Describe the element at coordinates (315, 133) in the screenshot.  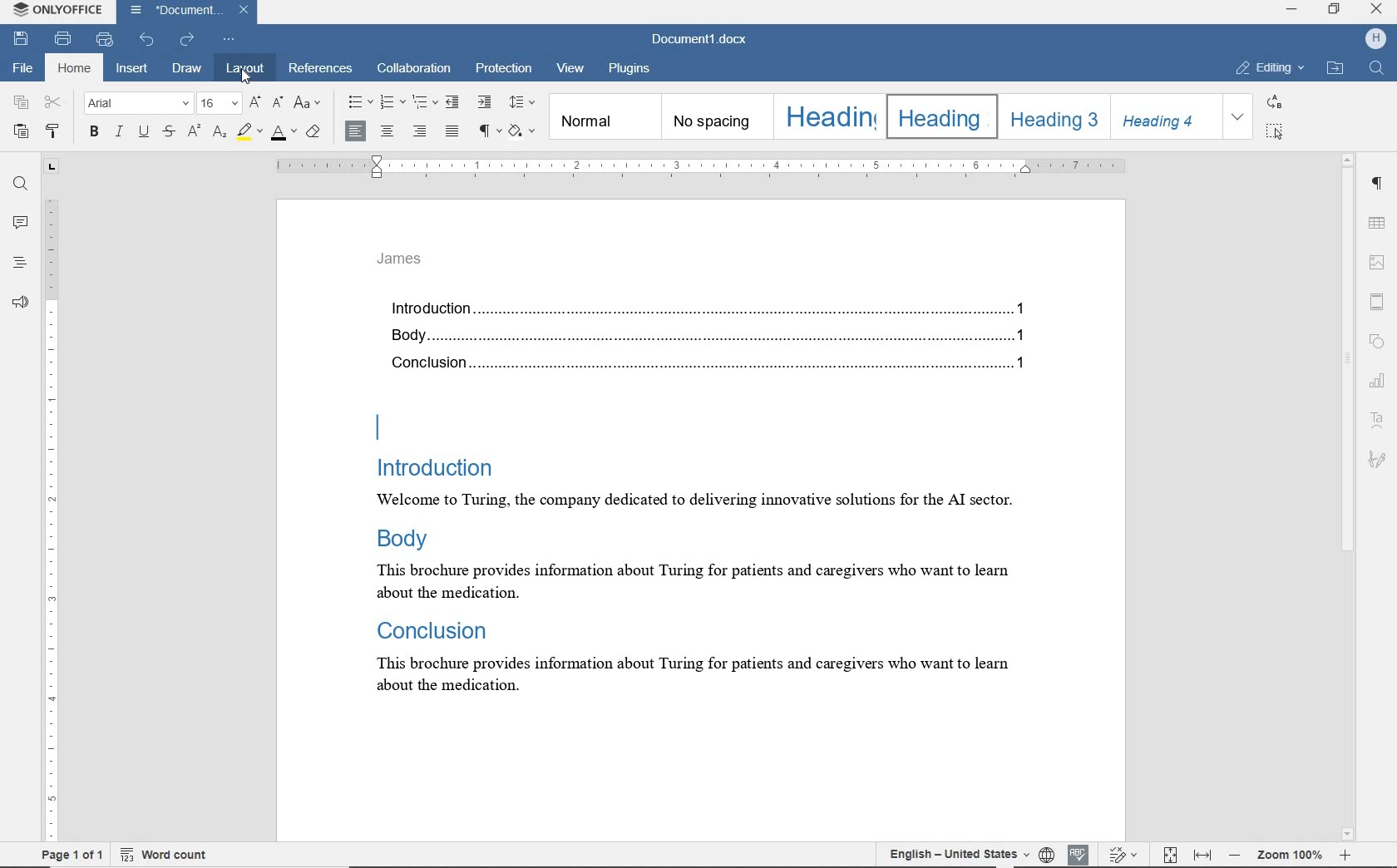
I see `clear style` at that location.